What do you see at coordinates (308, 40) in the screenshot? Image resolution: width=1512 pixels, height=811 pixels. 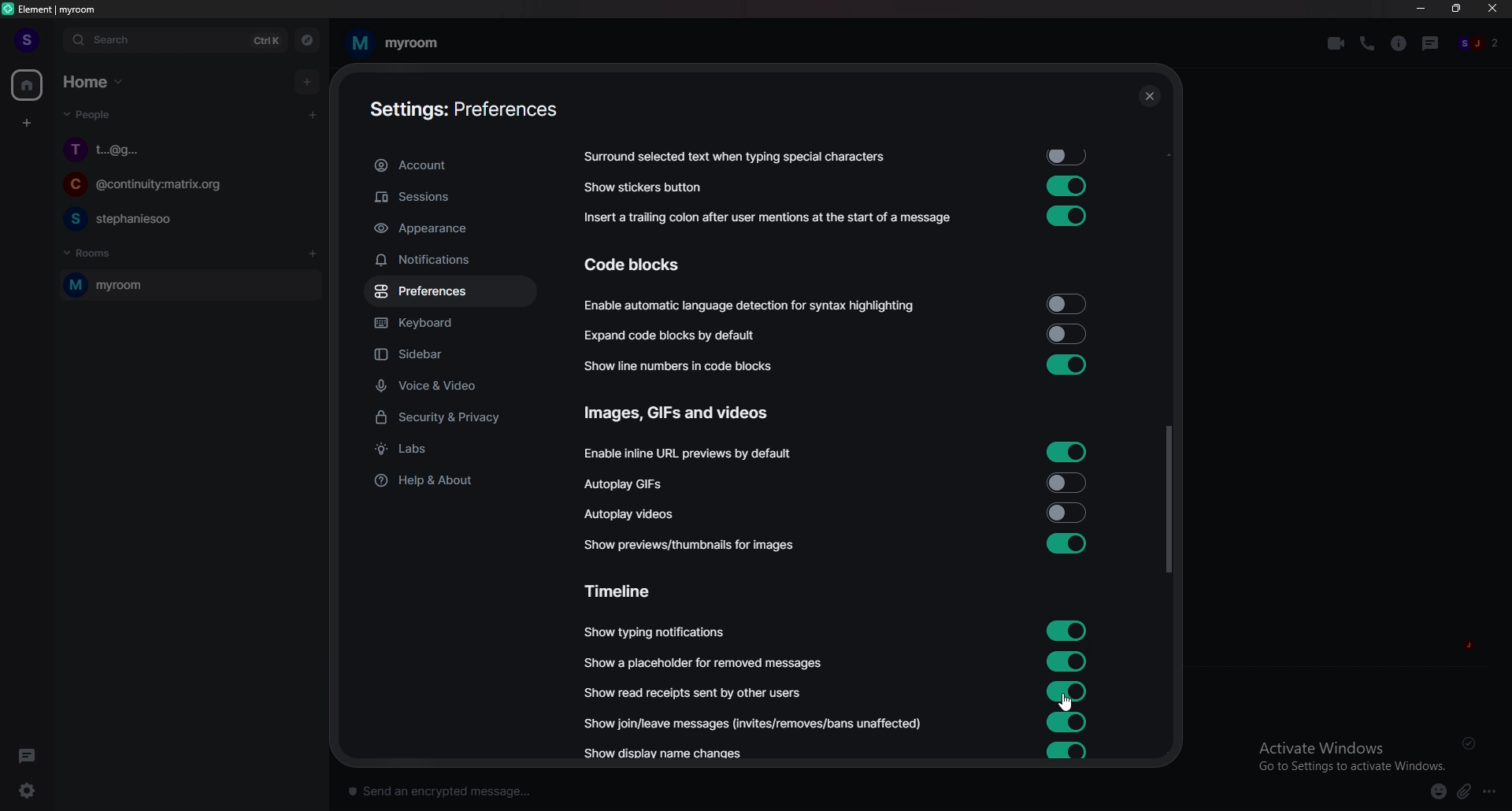 I see `explore room` at bounding box center [308, 40].